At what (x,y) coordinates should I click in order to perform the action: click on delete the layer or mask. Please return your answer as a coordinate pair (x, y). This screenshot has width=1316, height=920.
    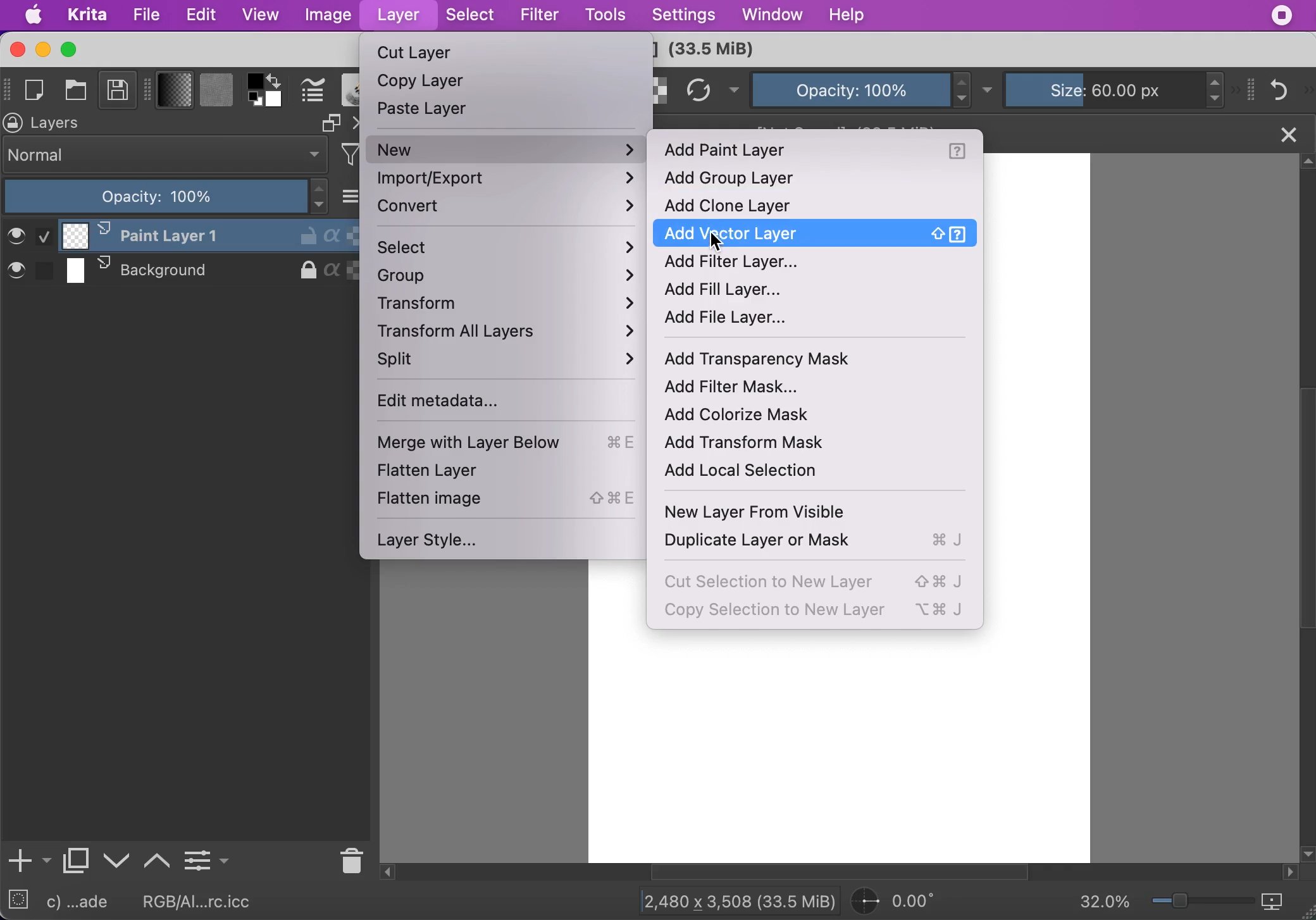
    Looking at the image, I should click on (349, 859).